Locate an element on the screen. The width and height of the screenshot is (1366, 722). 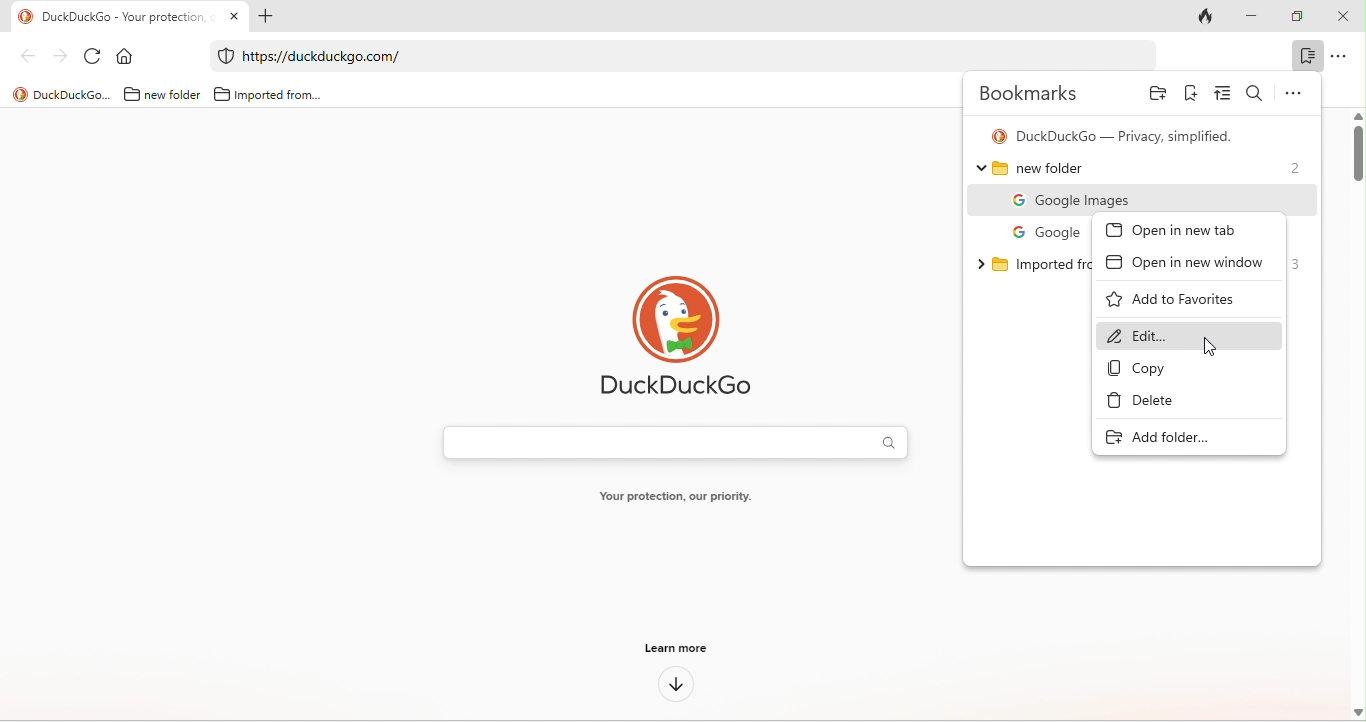
forward is located at coordinates (56, 55).